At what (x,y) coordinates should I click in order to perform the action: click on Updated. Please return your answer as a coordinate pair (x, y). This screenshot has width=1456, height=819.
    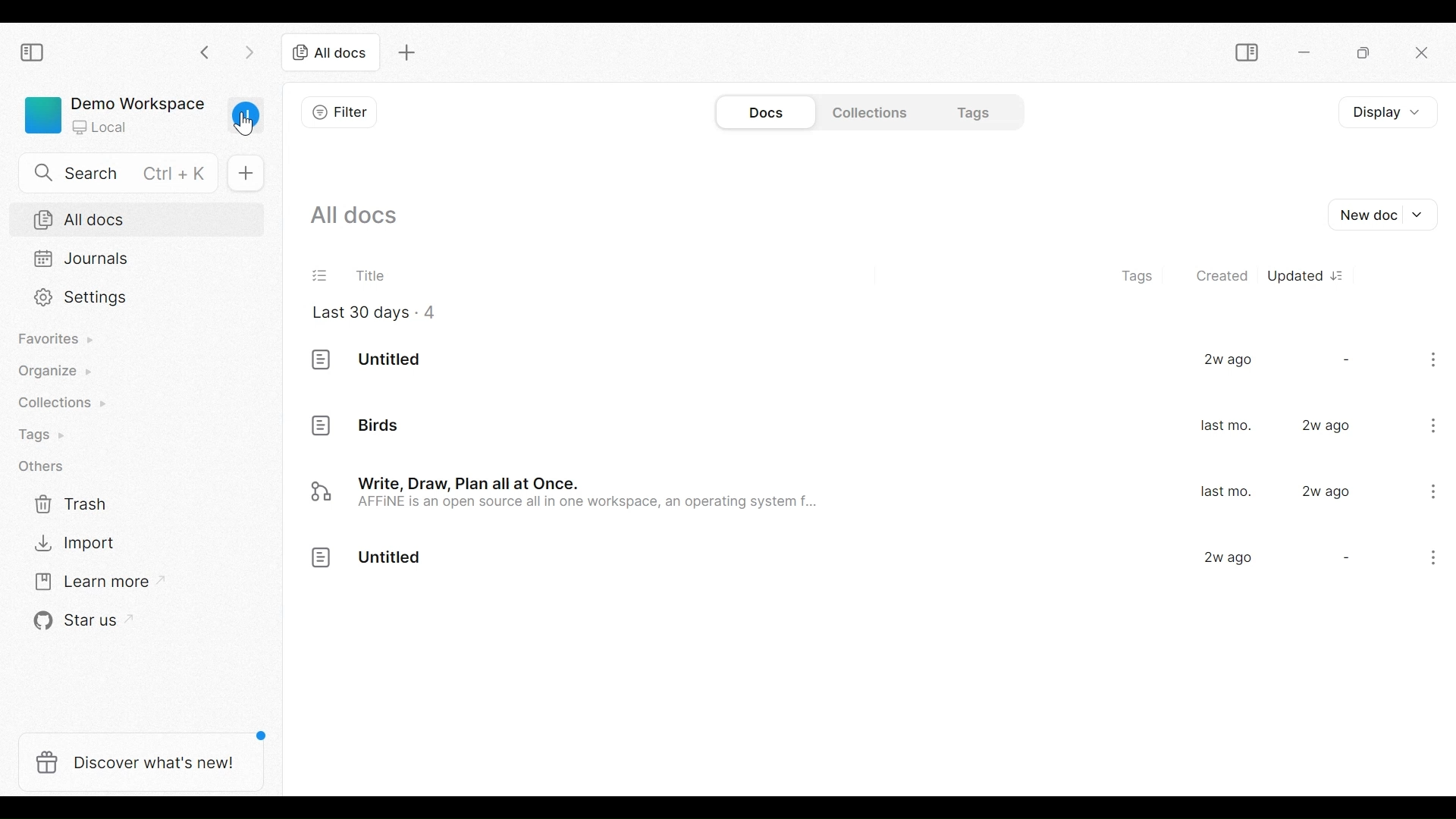
    Looking at the image, I should click on (1307, 274).